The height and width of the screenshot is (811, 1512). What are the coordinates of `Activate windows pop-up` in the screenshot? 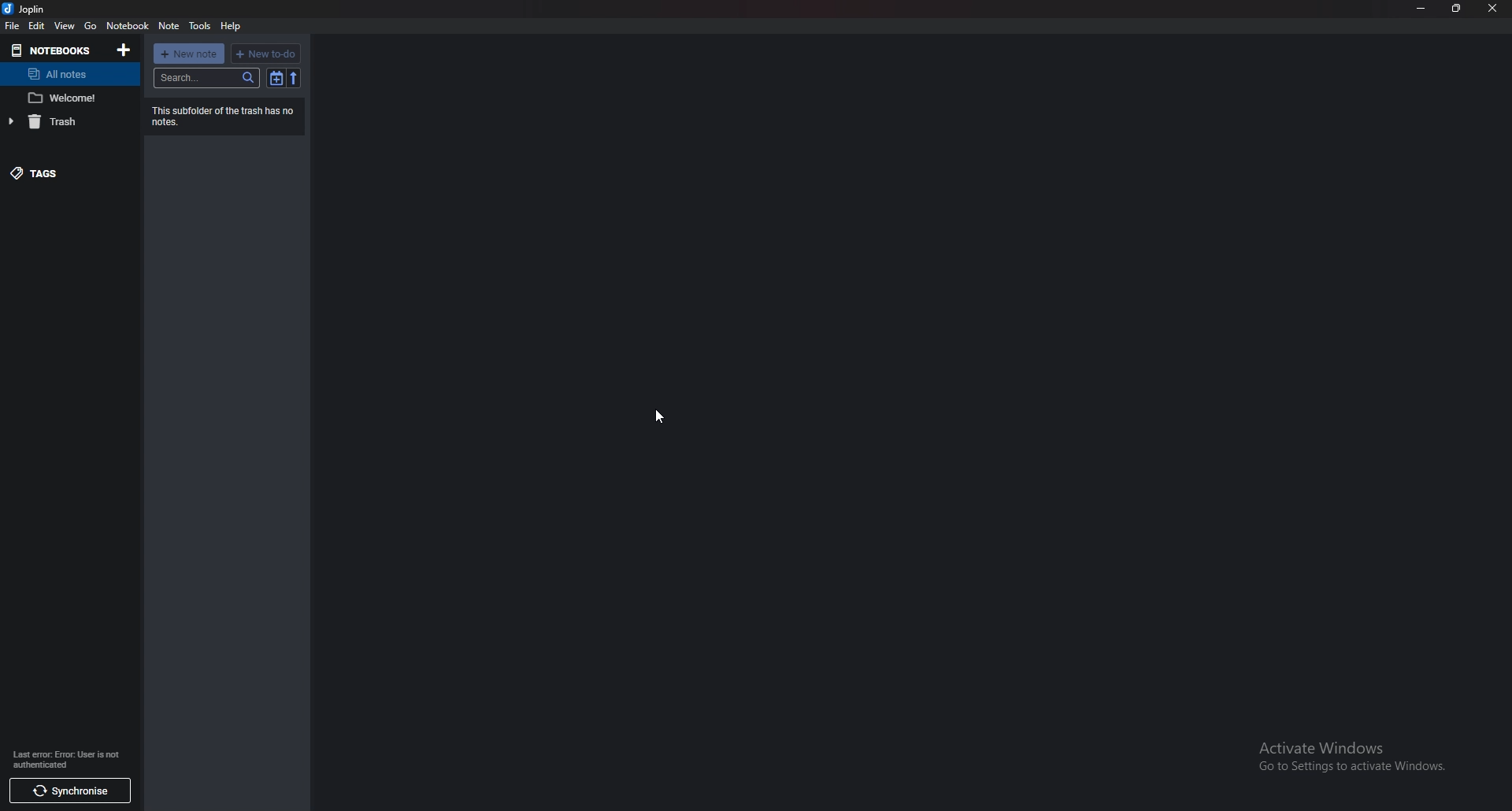 It's located at (1358, 760).